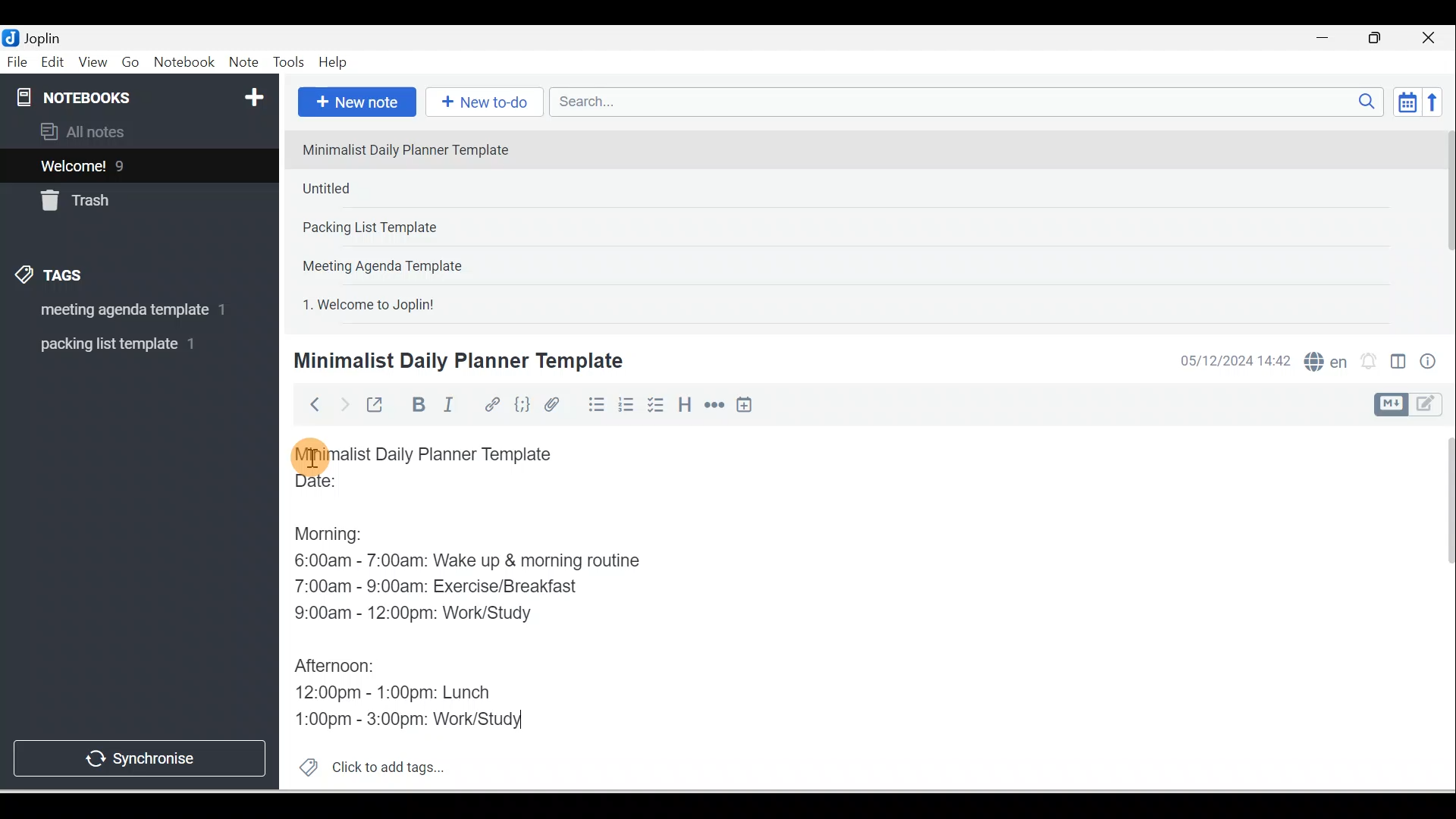 This screenshot has height=819, width=1456. Describe the element at coordinates (439, 585) in the screenshot. I see `7:00am - 9:00am: Exercise/Breakfast` at that location.